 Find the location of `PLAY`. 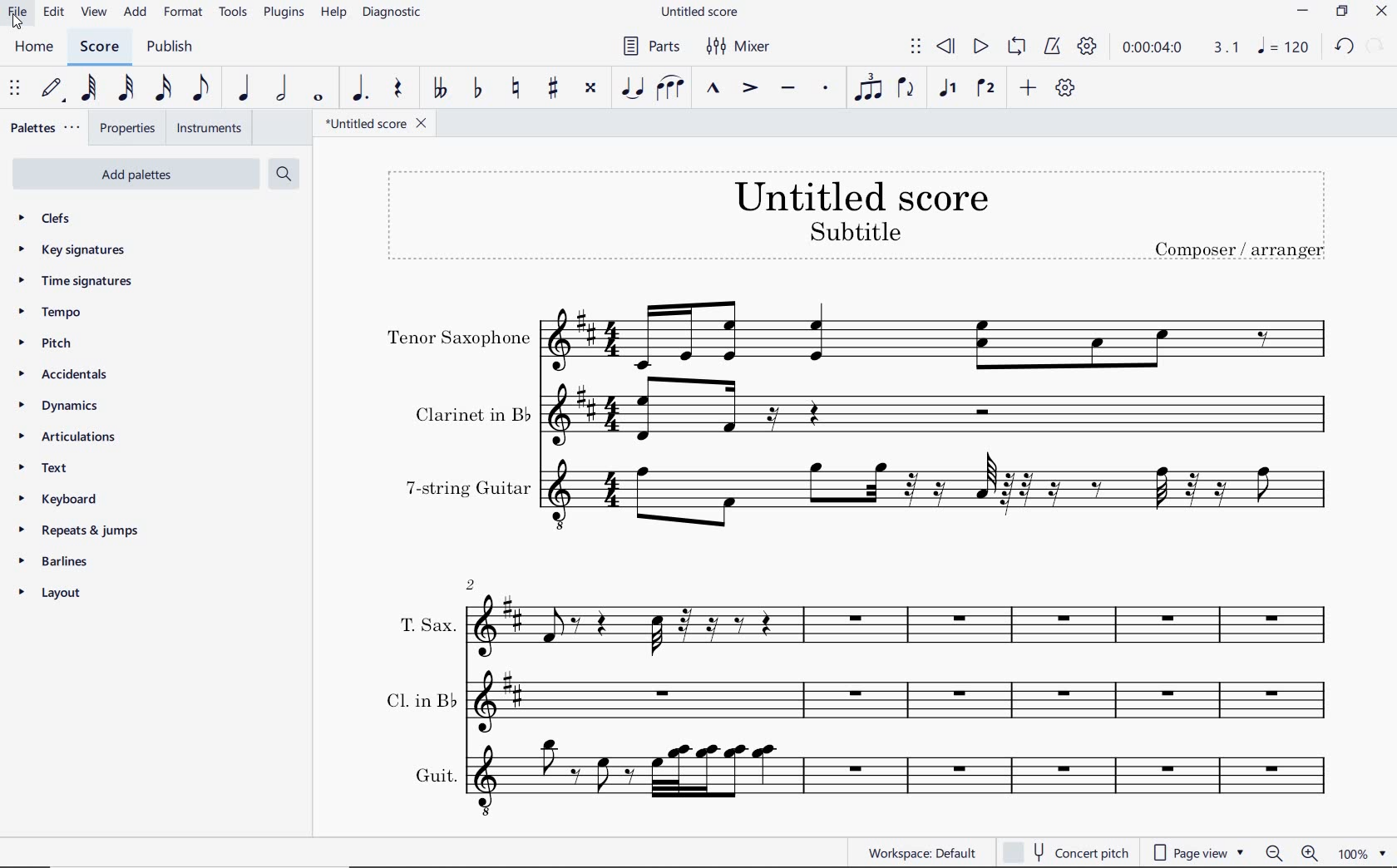

PLAY is located at coordinates (979, 46).